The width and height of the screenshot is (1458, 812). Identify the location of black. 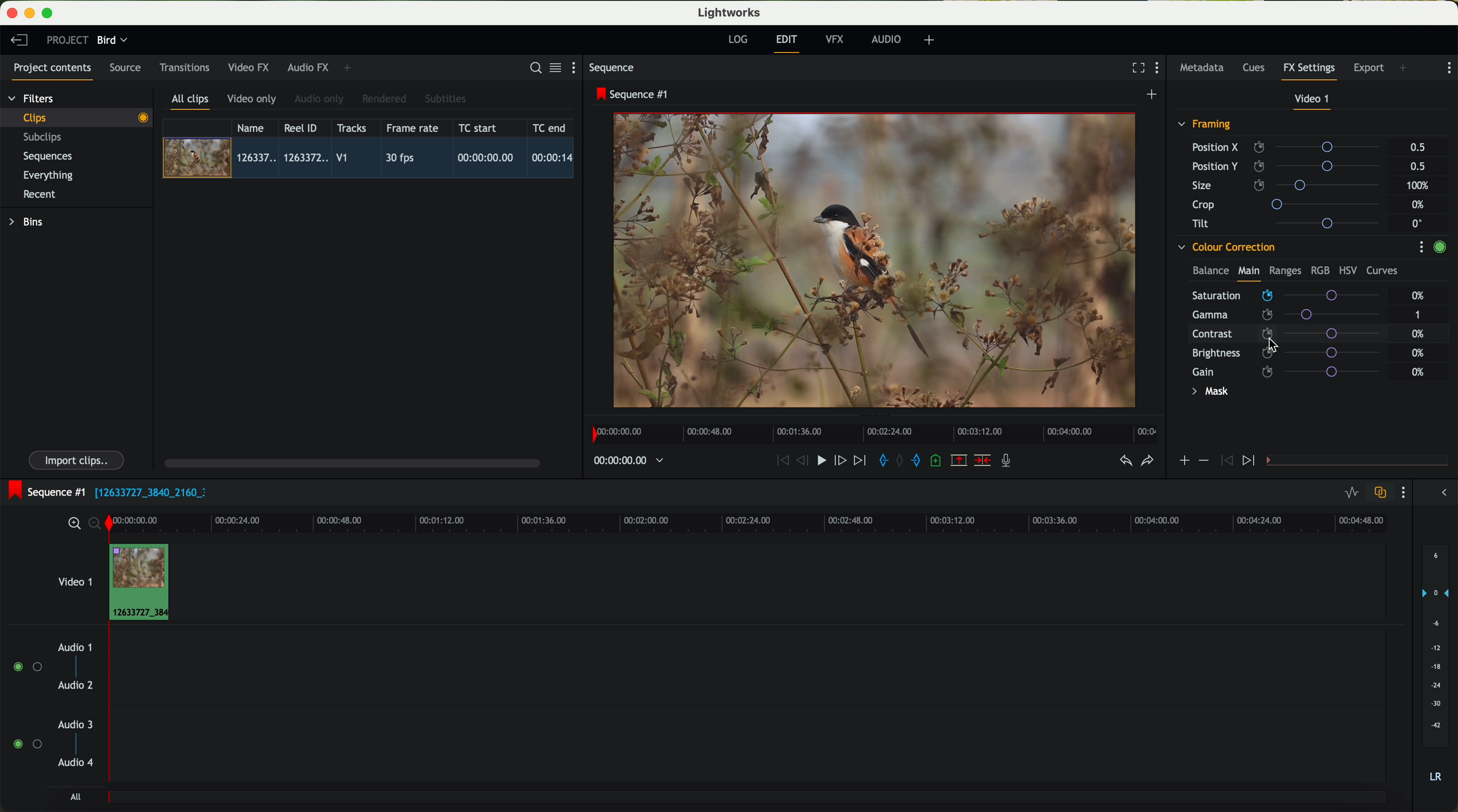
(146, 491).